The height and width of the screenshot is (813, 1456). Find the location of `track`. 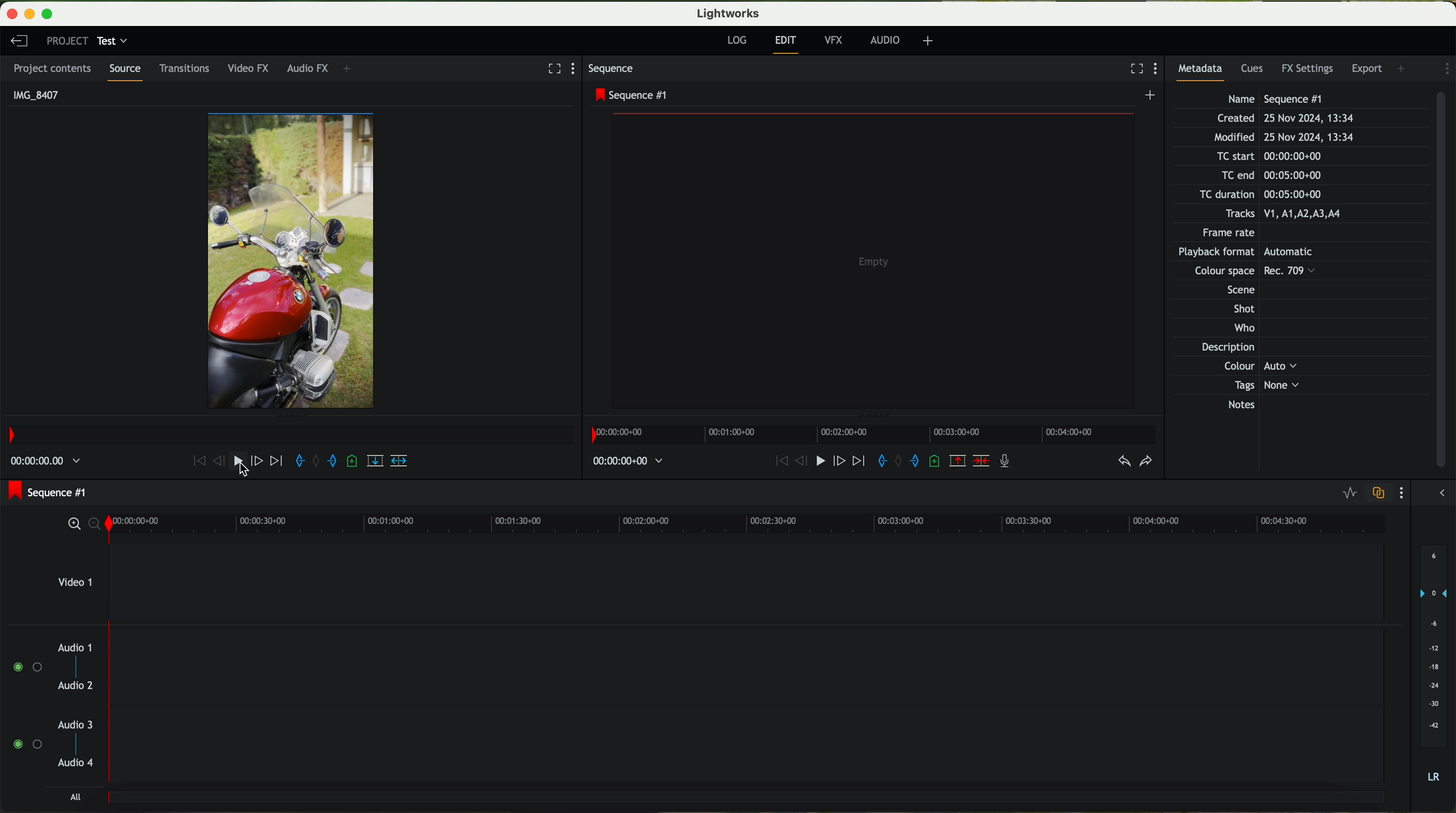

track is located at coordinates (749, 746).